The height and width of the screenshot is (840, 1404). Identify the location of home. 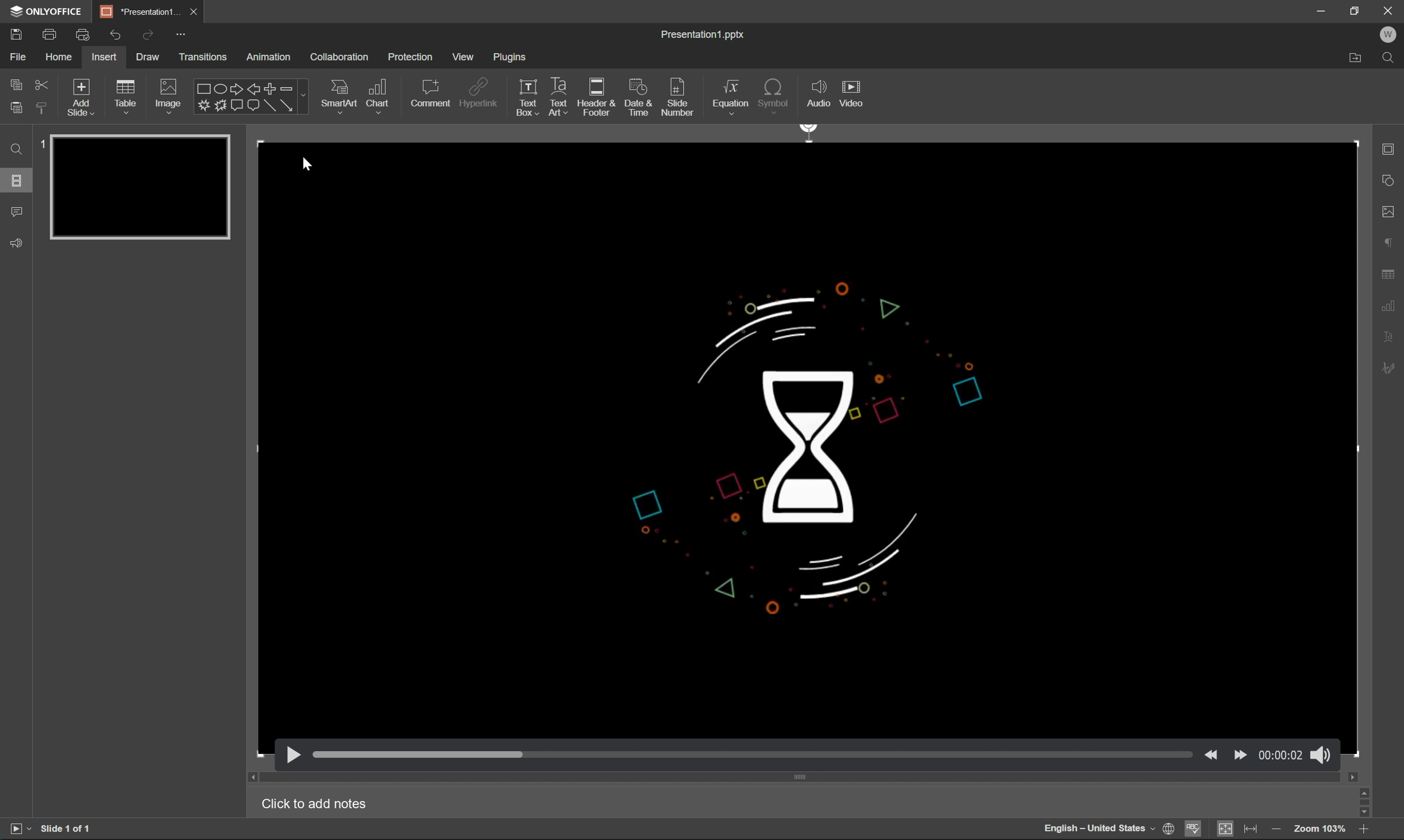
(60, 56).